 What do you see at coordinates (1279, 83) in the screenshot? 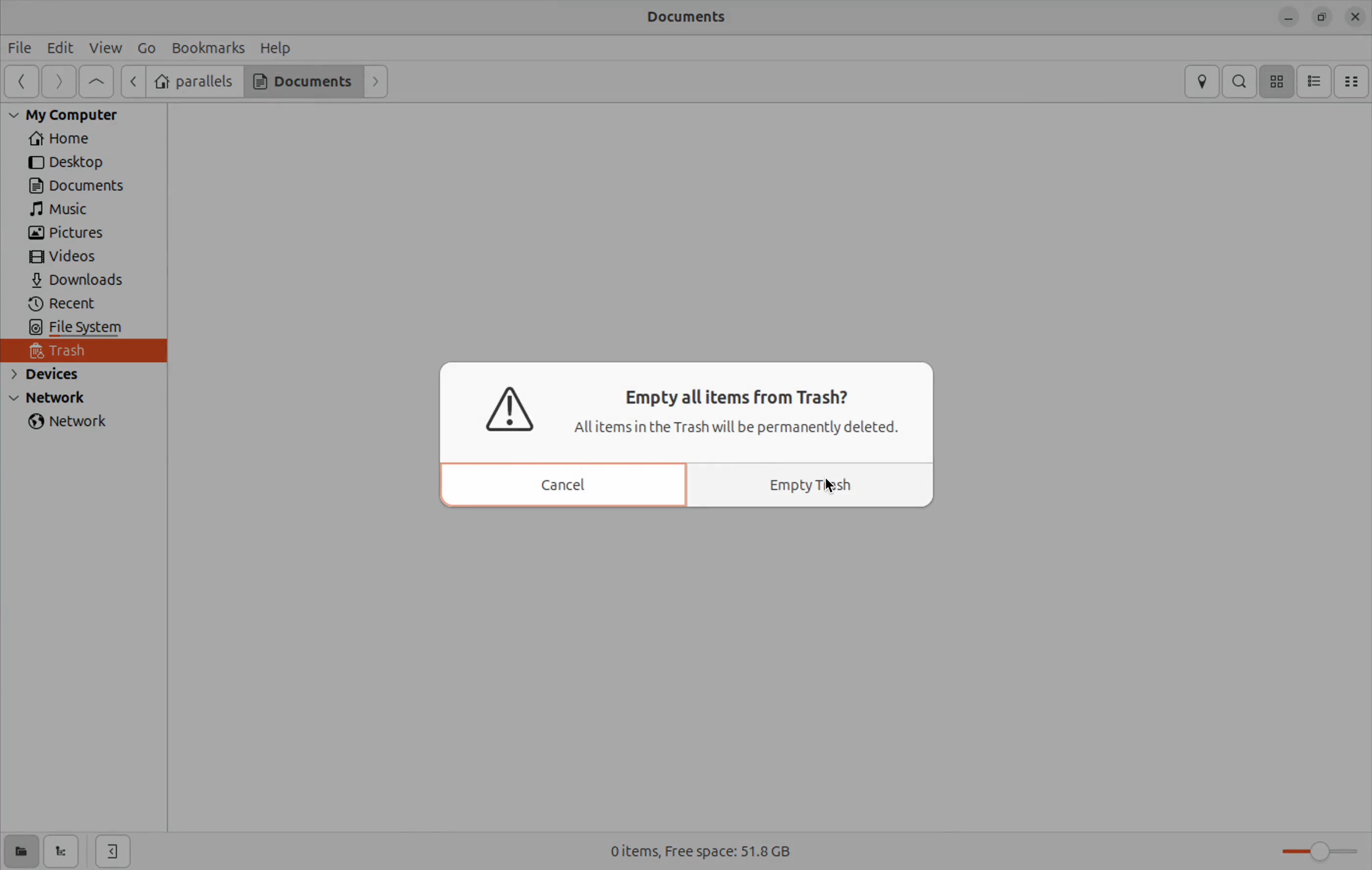
I see `icon view` at bounding box center [1279, 83].